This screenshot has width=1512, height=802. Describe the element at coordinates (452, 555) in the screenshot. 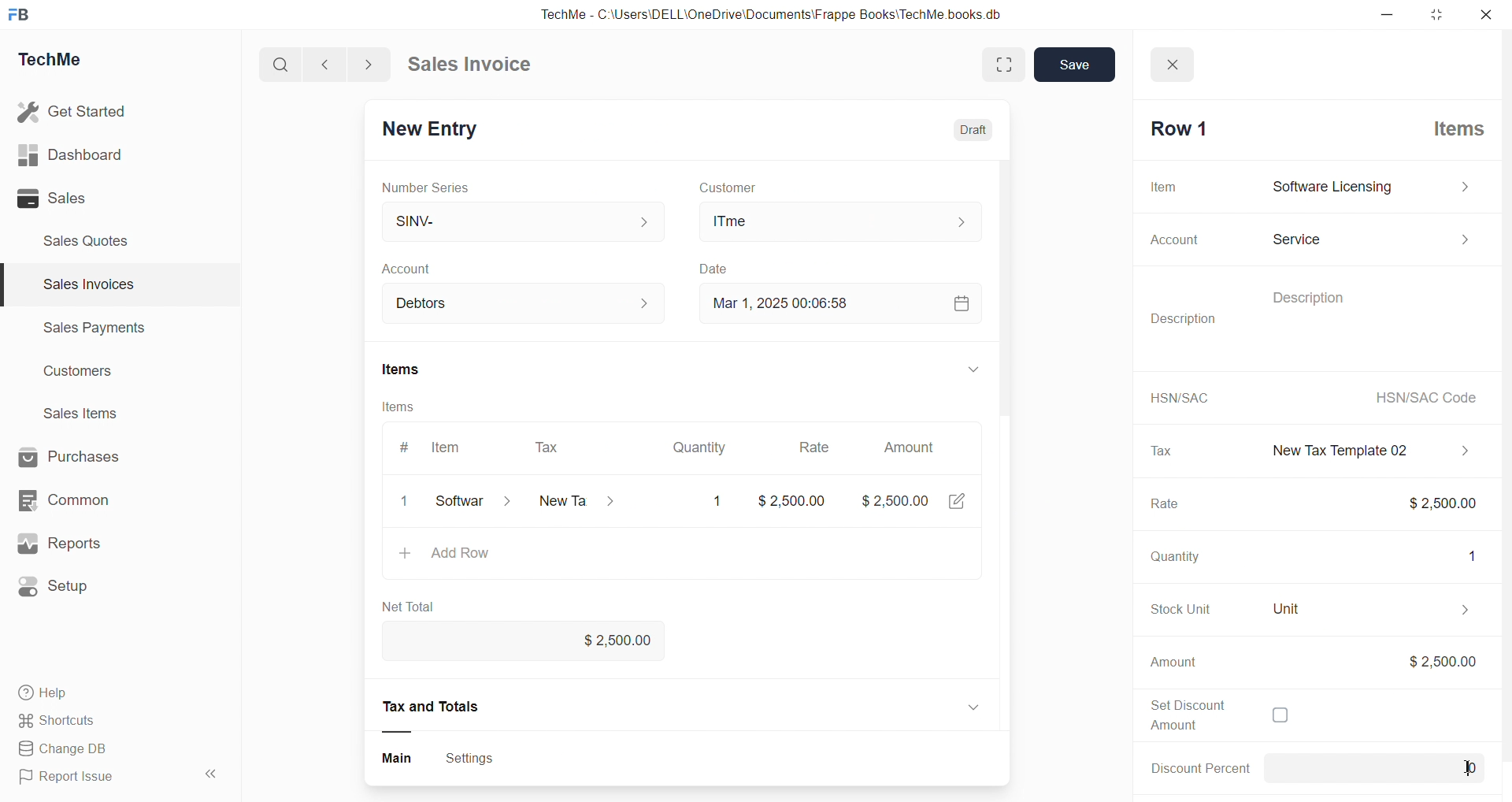

I see `+ Add Row` at that location.